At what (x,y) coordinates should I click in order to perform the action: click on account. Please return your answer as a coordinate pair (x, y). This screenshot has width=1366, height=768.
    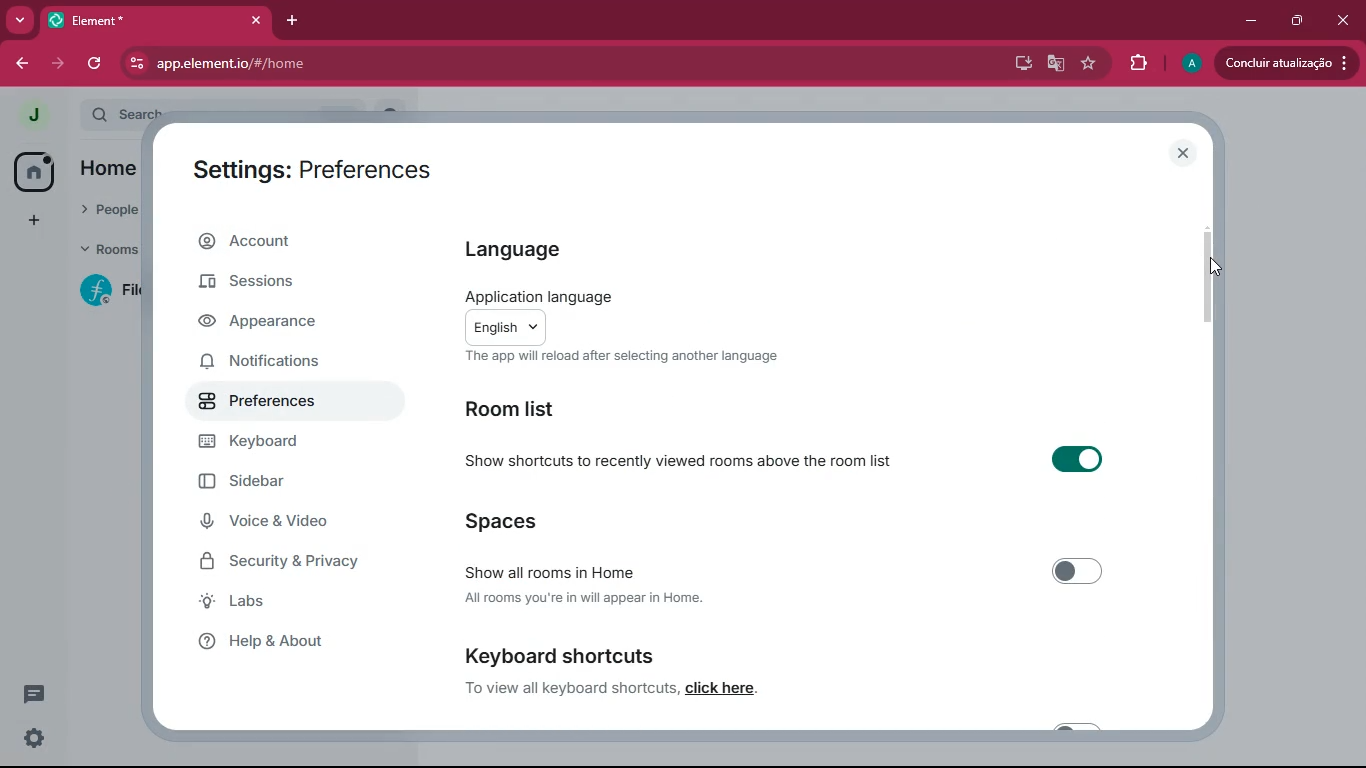
    Looking at the image, I should click on (285, 242).